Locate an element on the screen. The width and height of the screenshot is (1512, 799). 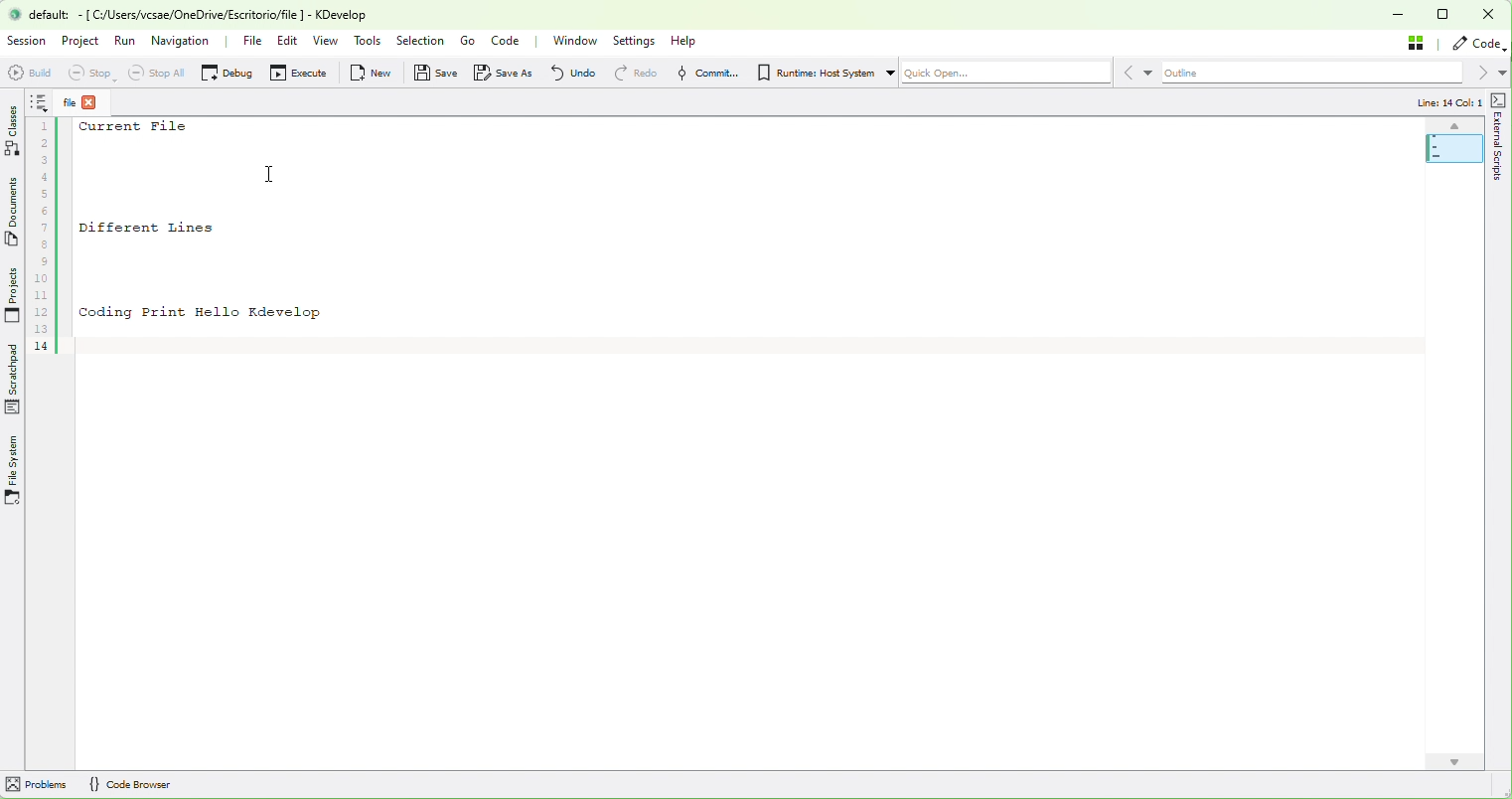
Debug is located at coordinates (224, 74).